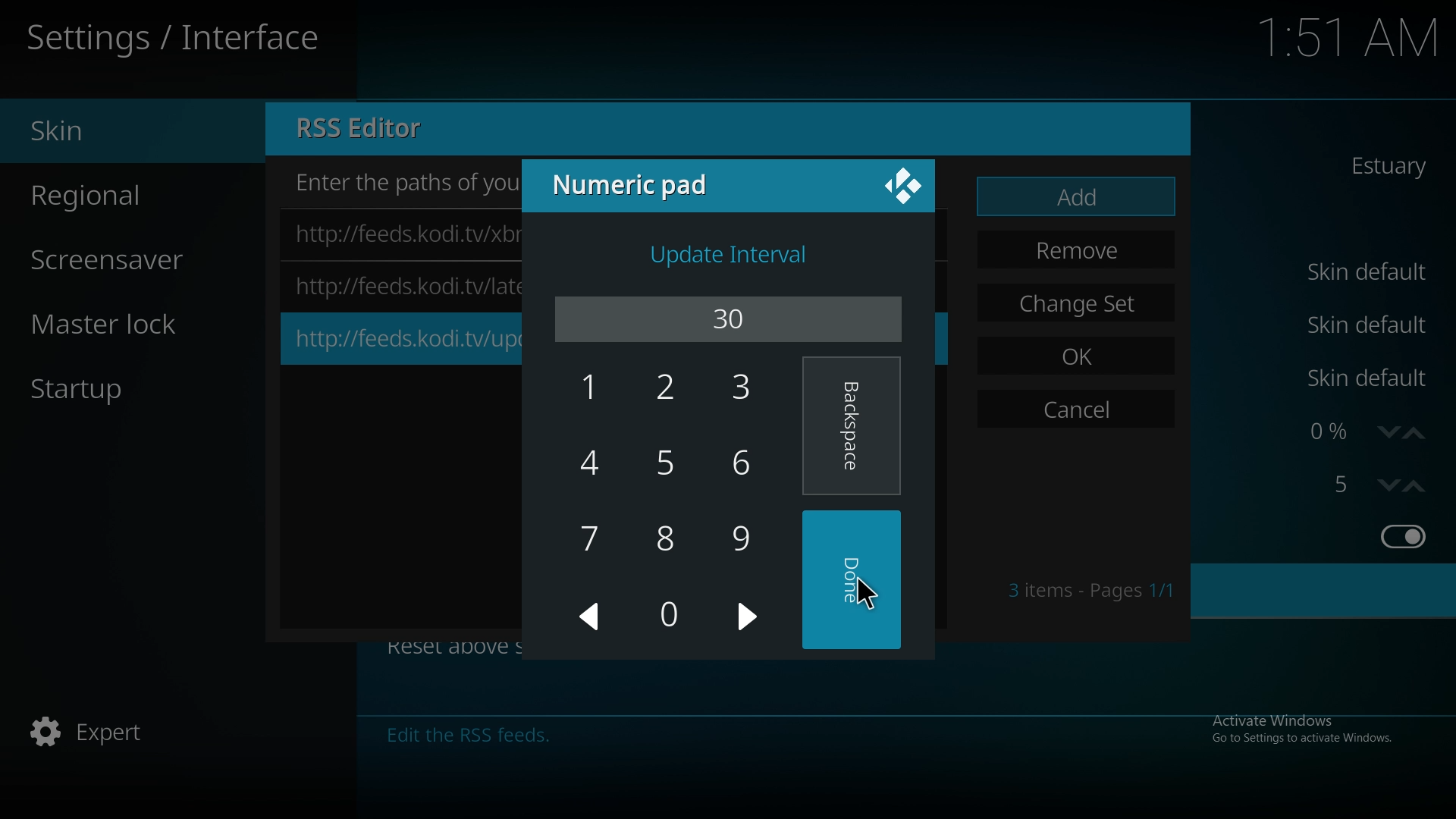  Describe the element at coordinates (1371, 271) in the screenshot. I see `skin default` at that location.